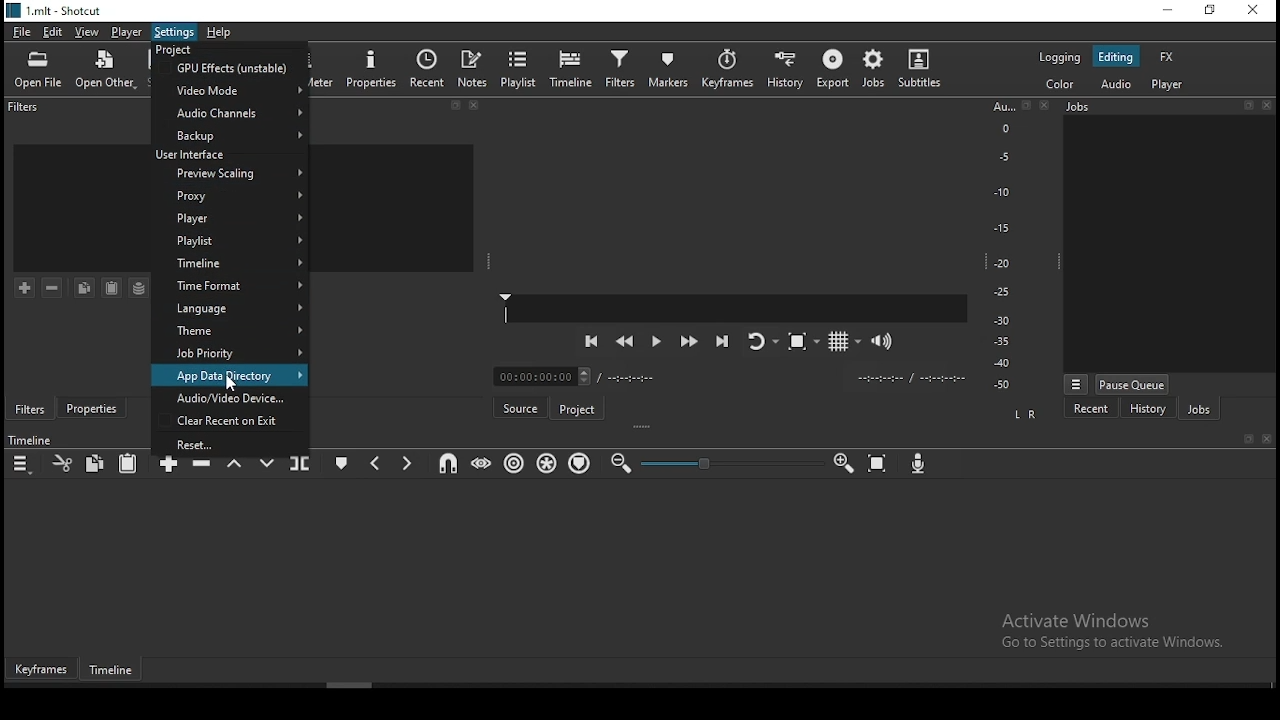  Describe the element at coordinates (235, 466) in the screenshot. I see `lift` at that location.